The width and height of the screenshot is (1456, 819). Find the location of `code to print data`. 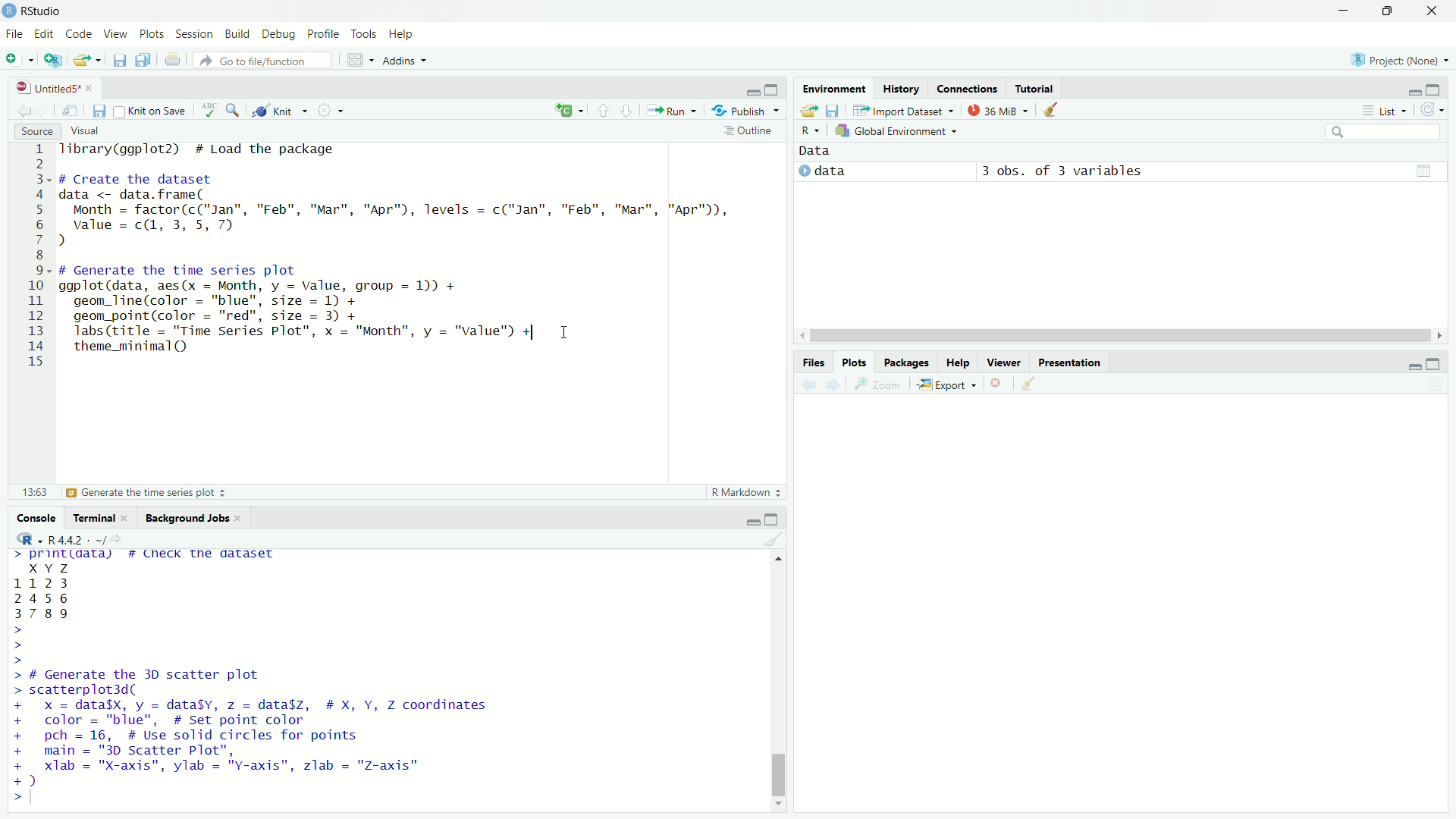

code to print data is located at coordinates (149, 556).